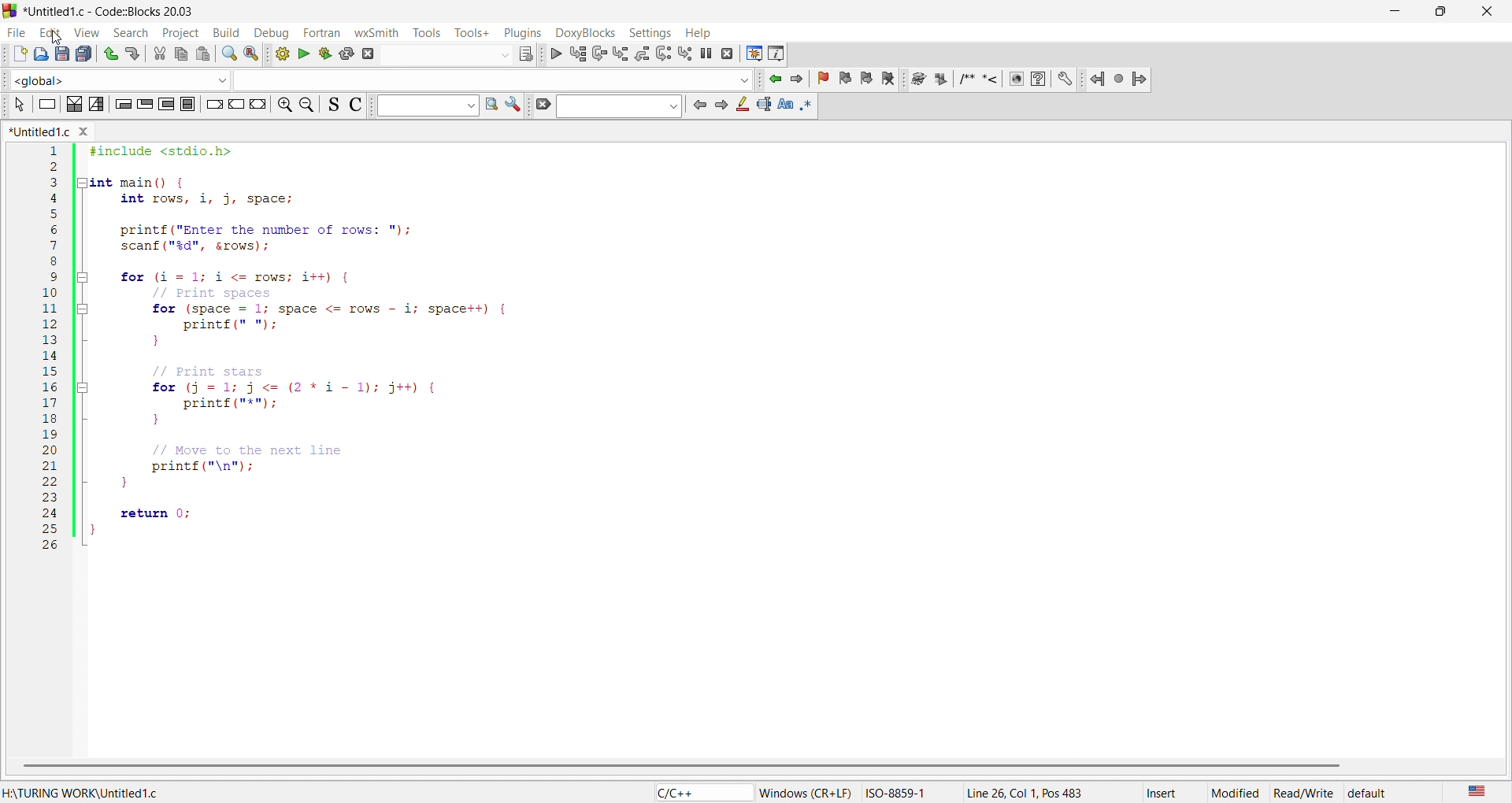  I want to click on file type, so click(689, 793).